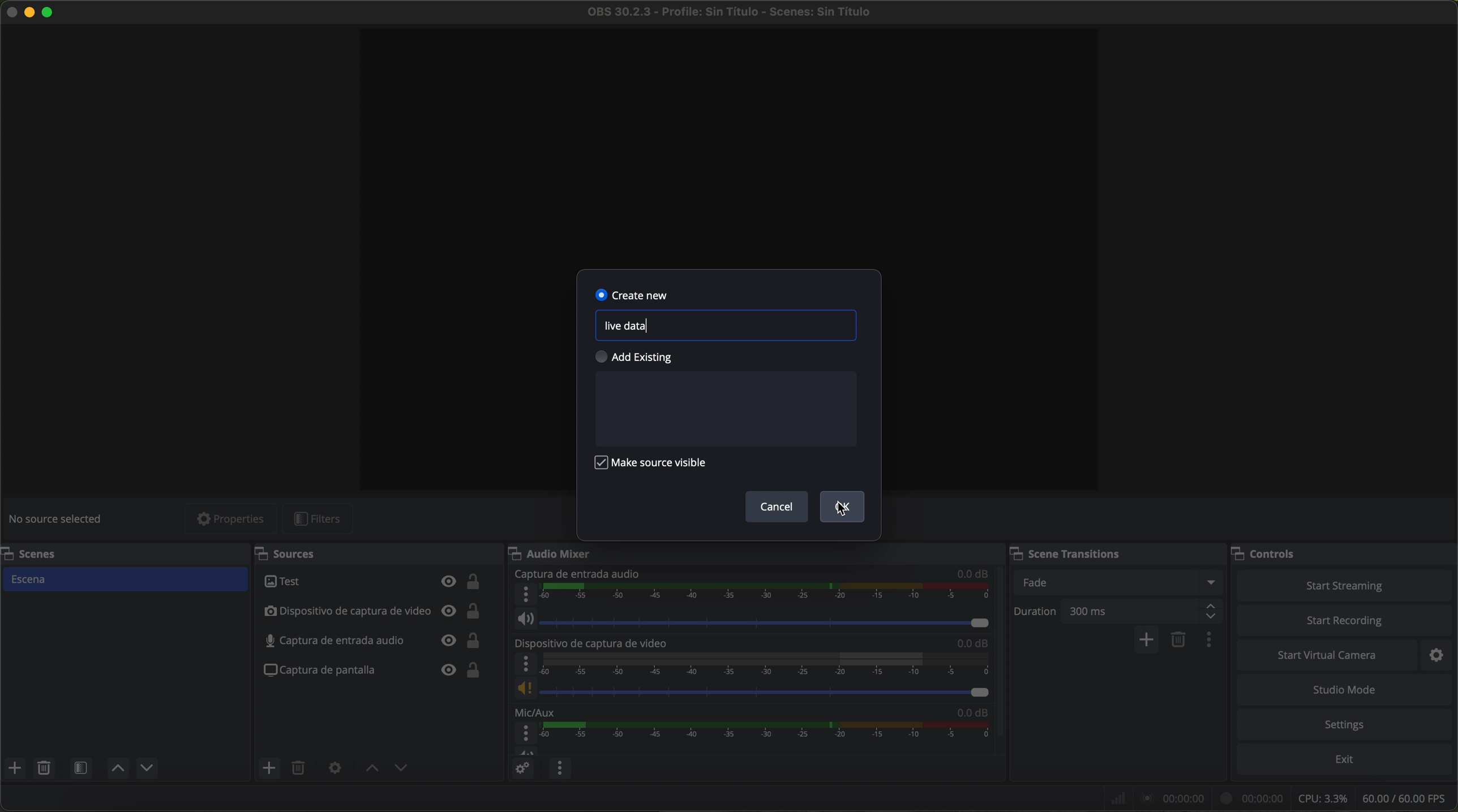 The width and height of the screenshot is (1458, 812). What do you see at coordinates (294, 553) in the screenshot?
I see `sources` at bounding box center [294, 553].